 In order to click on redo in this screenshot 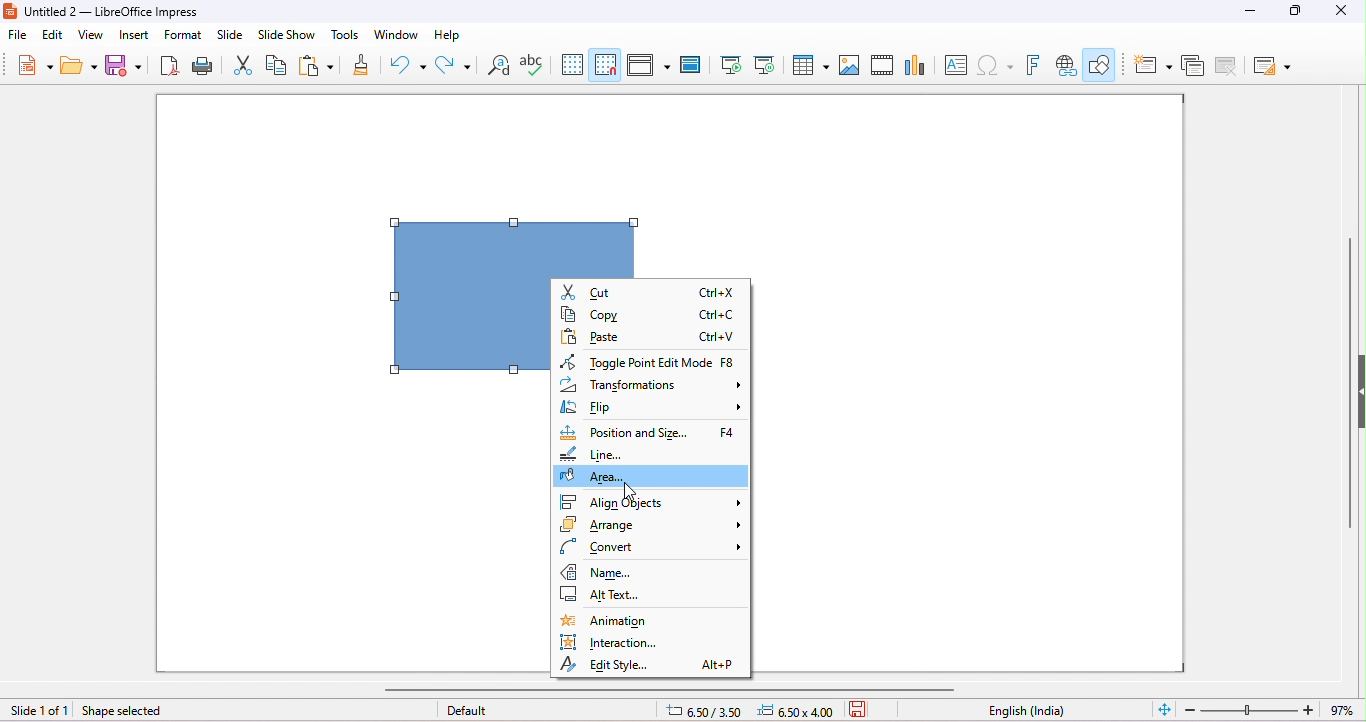, I will do `click(456, 67)`.